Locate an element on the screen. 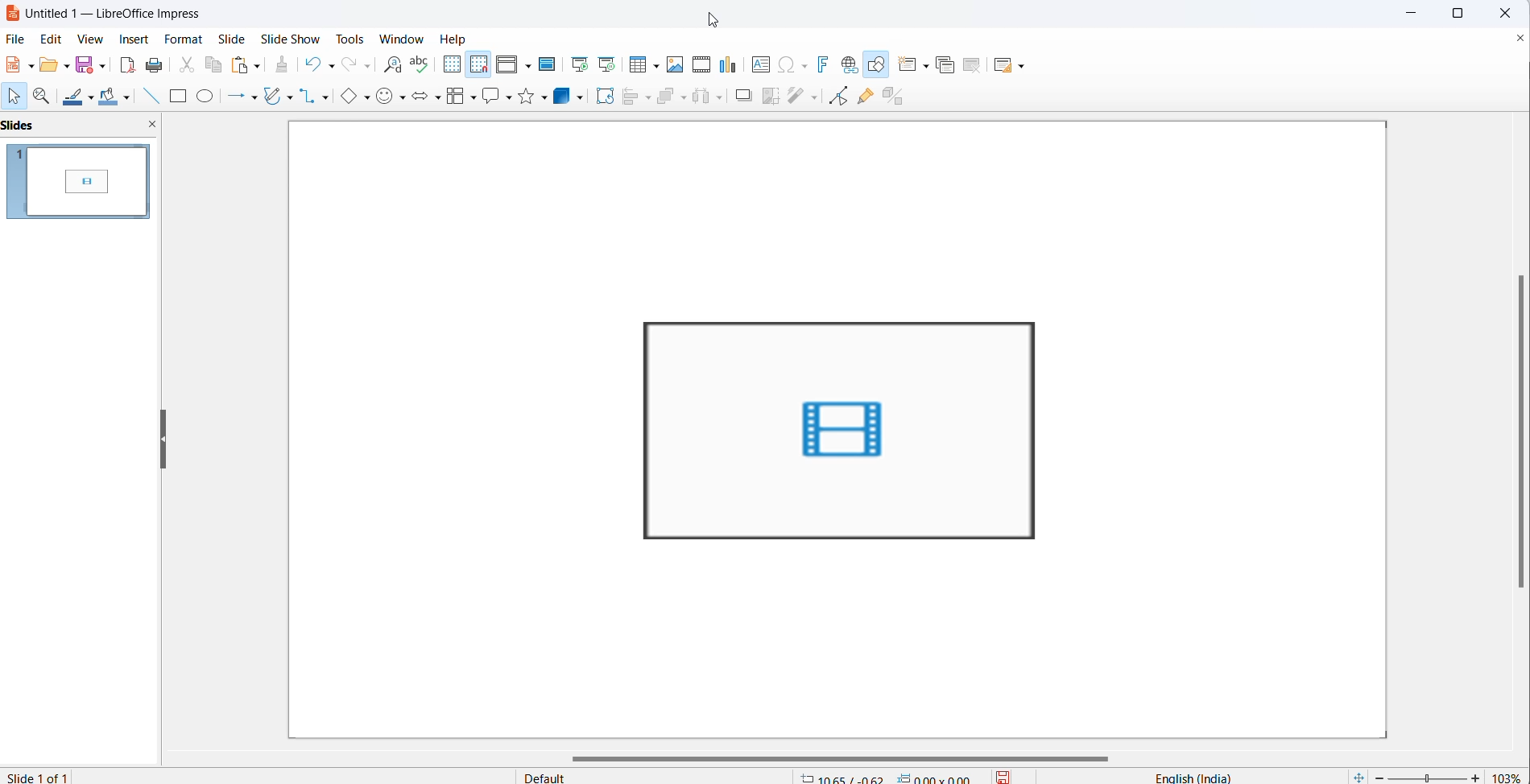 The image size is (1530, 784). object distribution icon is located at coordinates (710, 98).